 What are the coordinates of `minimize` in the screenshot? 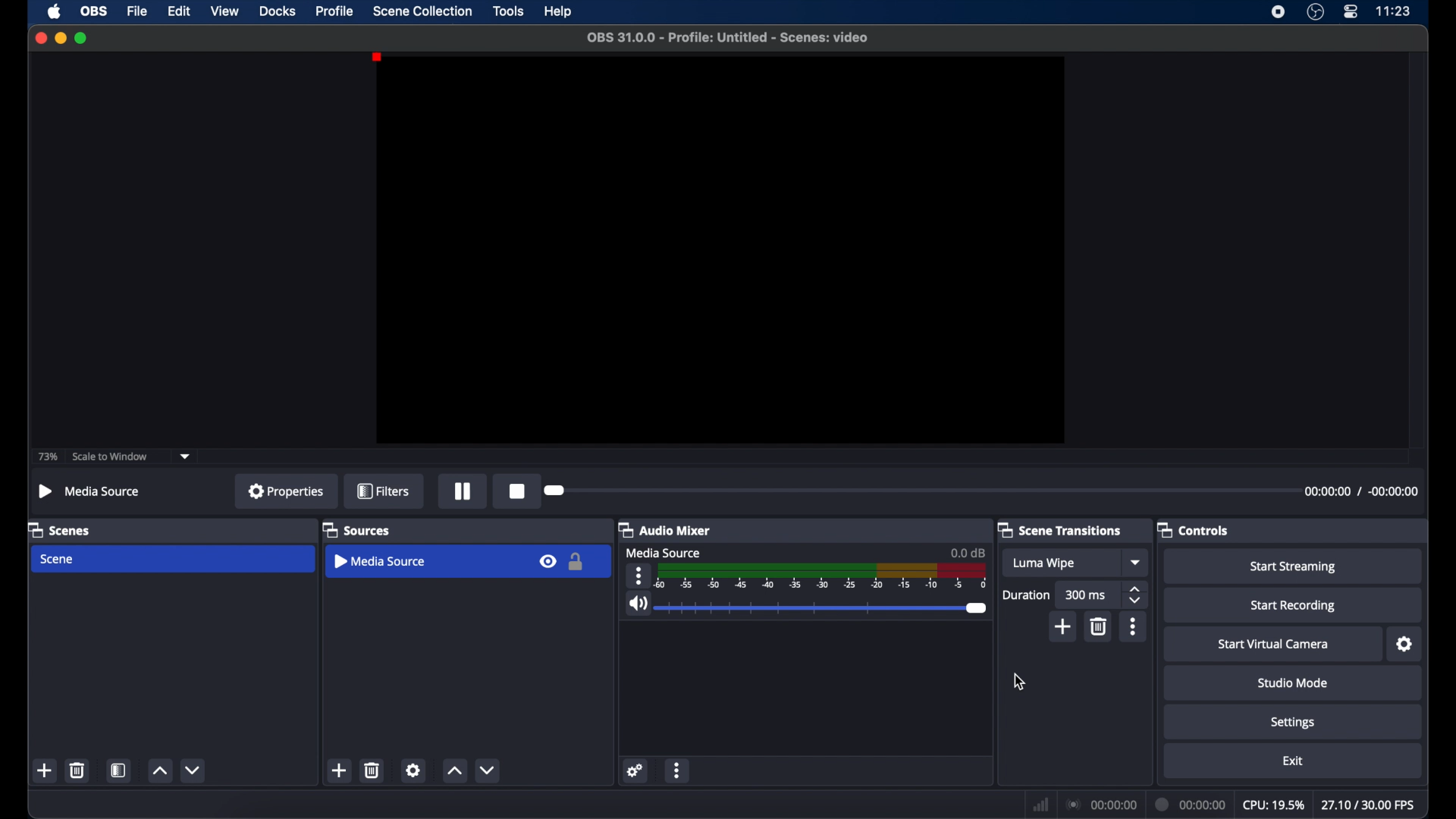 It's located at (60, 38).